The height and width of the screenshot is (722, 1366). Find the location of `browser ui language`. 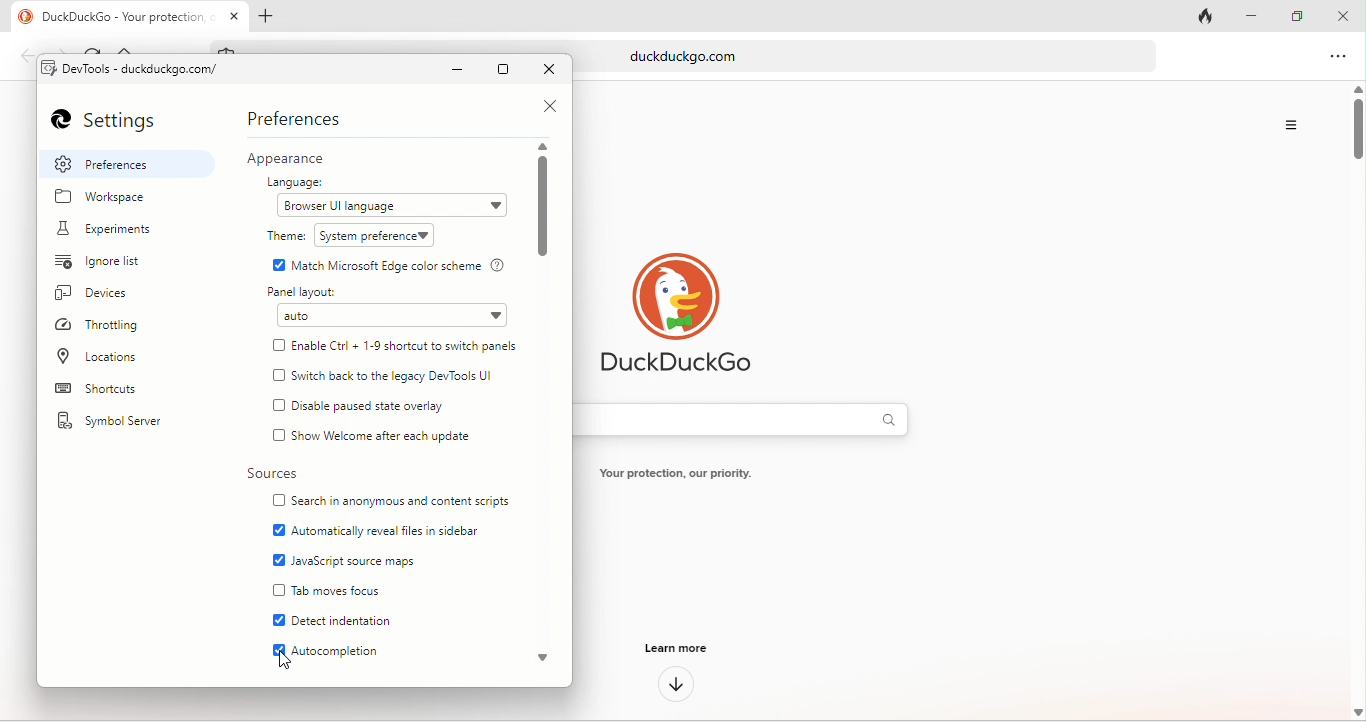

browser ui language is located at coordinates (389, 207).